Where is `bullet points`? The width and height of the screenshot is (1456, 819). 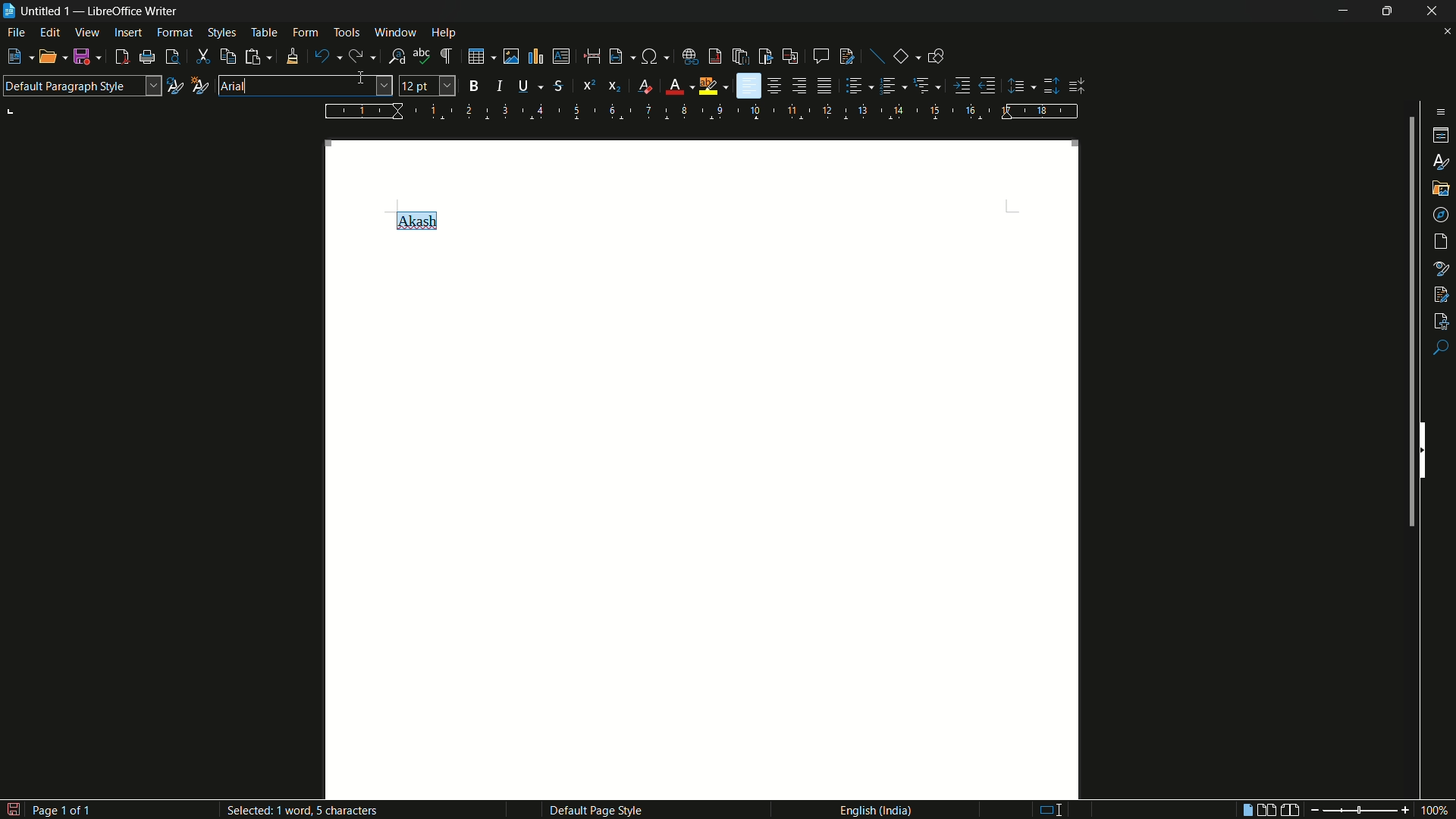
bullet points is located at coordinates (855, 86).